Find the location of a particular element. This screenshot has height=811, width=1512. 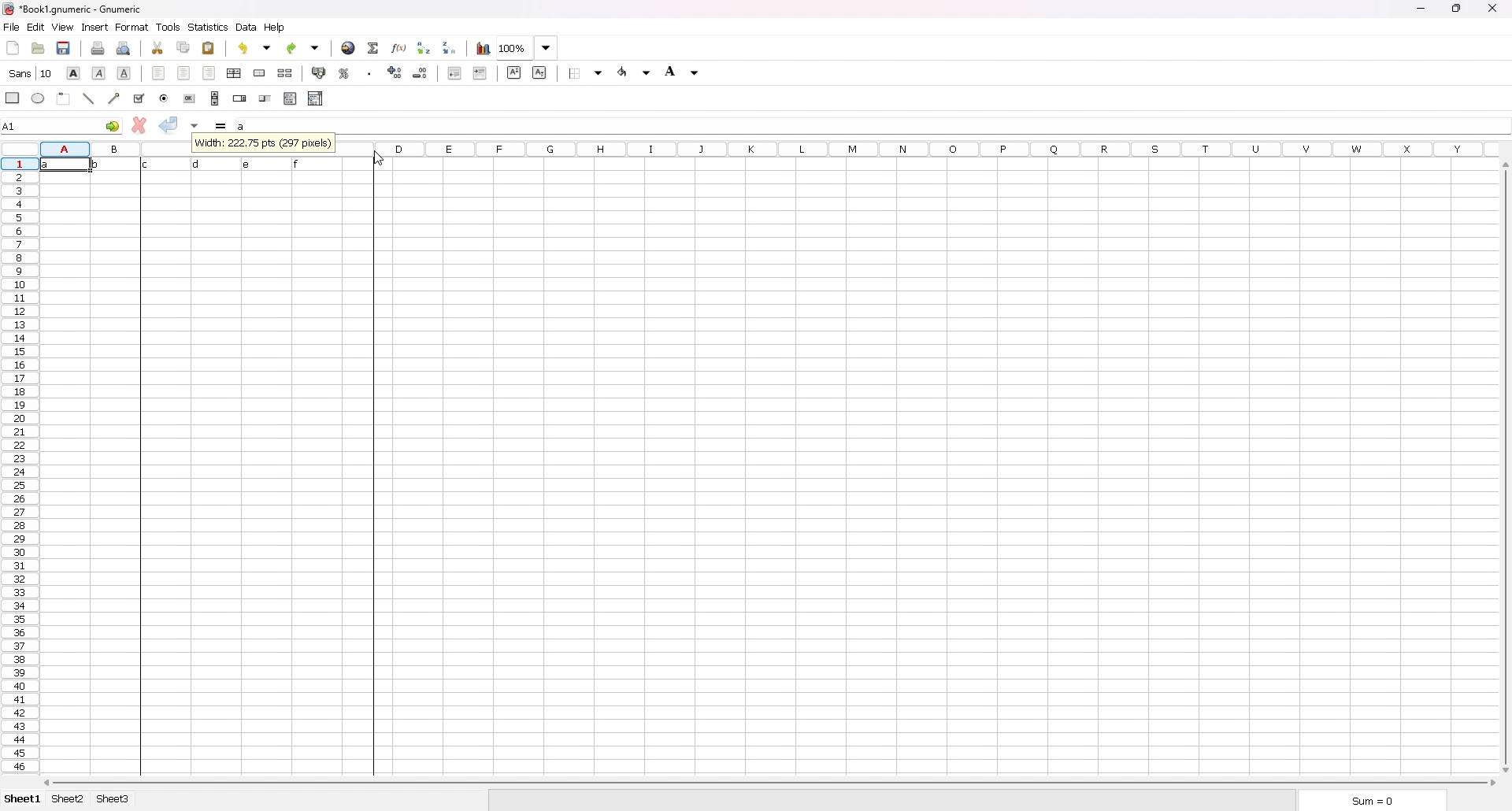

italic is located at coordinates (99, 72).